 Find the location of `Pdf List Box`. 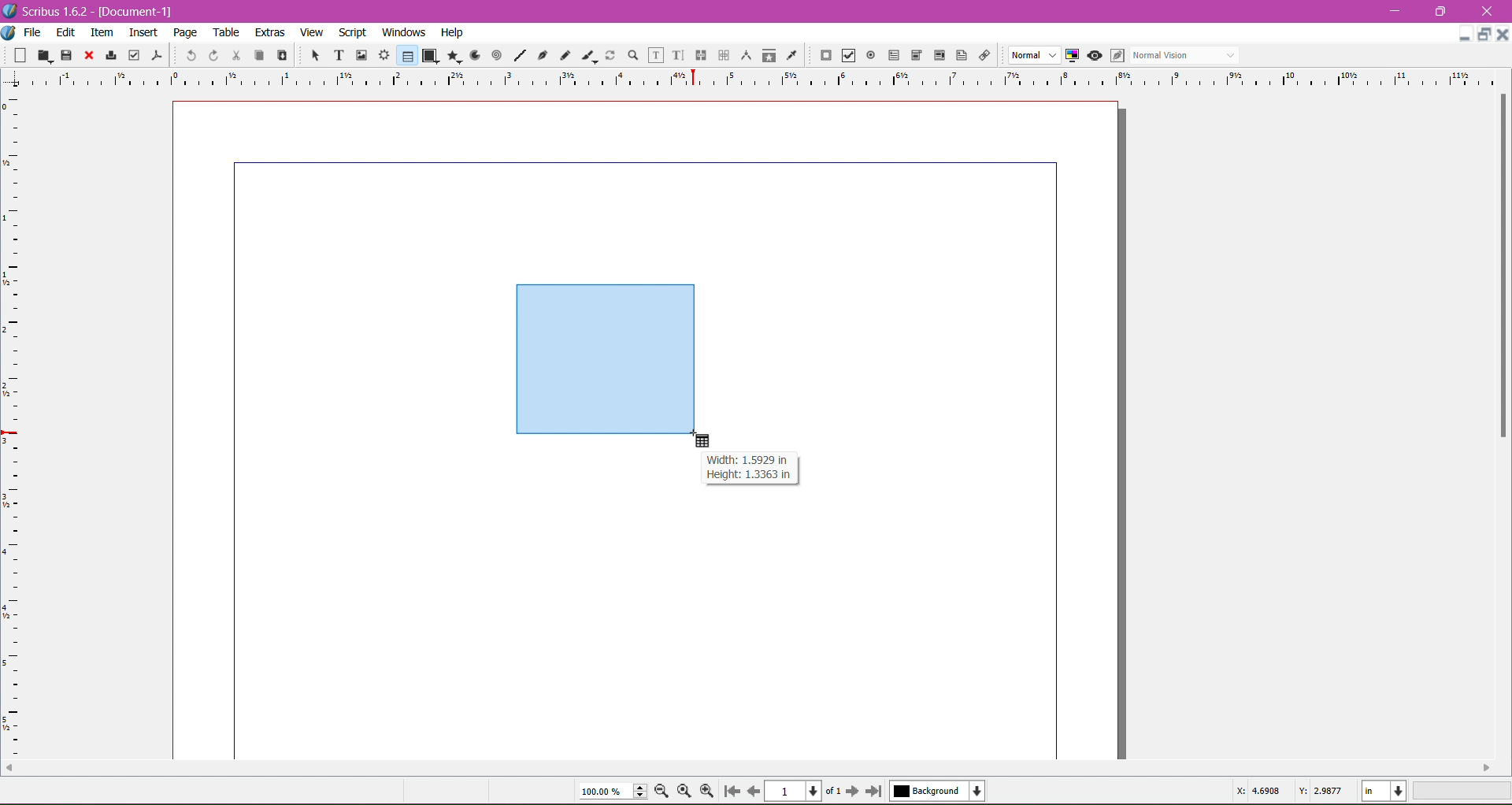

Pdf List Box is located at coordinates (937, 56).